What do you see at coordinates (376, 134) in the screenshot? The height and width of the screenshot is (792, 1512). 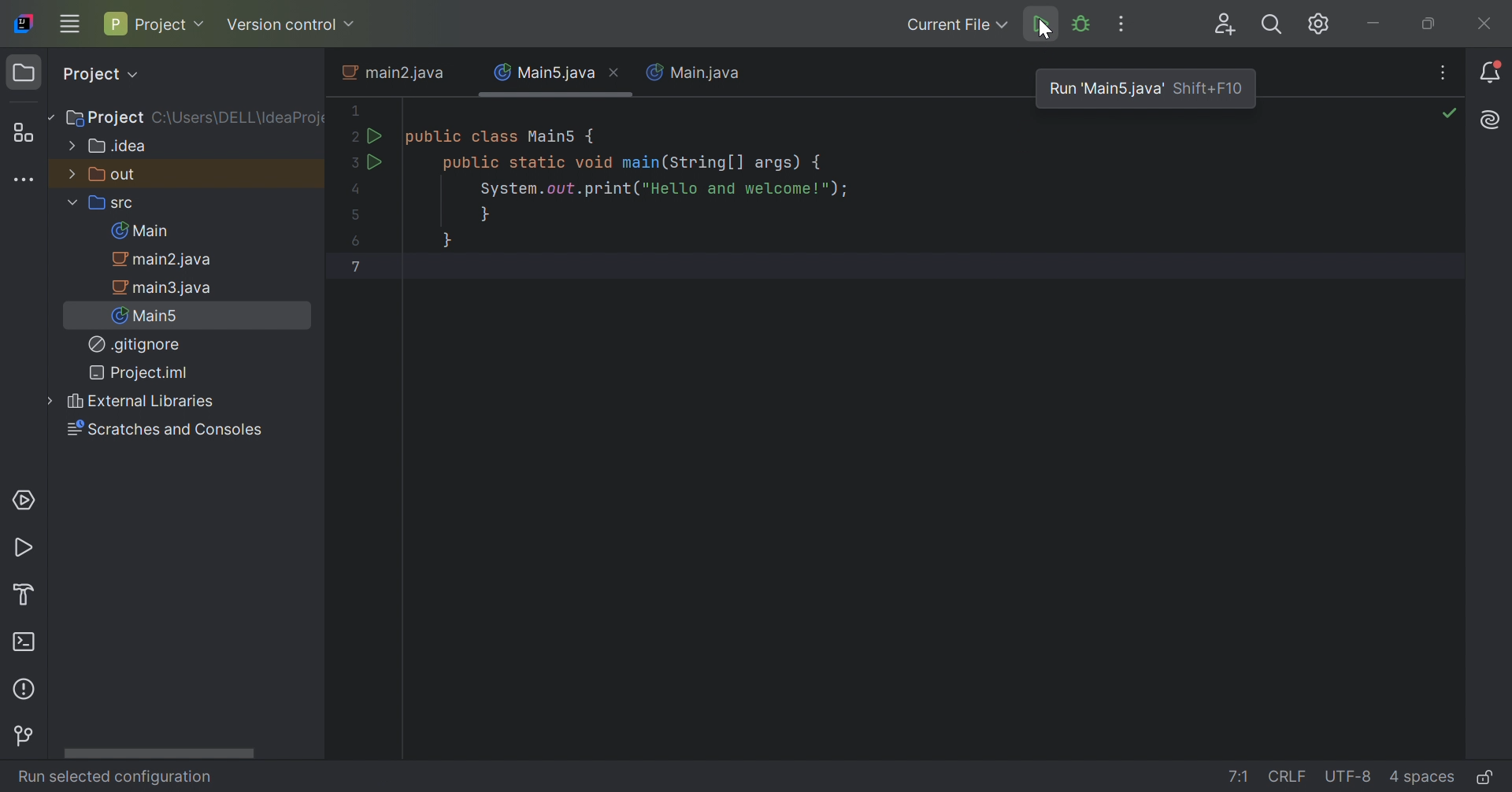 I see `Run` at bounding box center [376, 134].